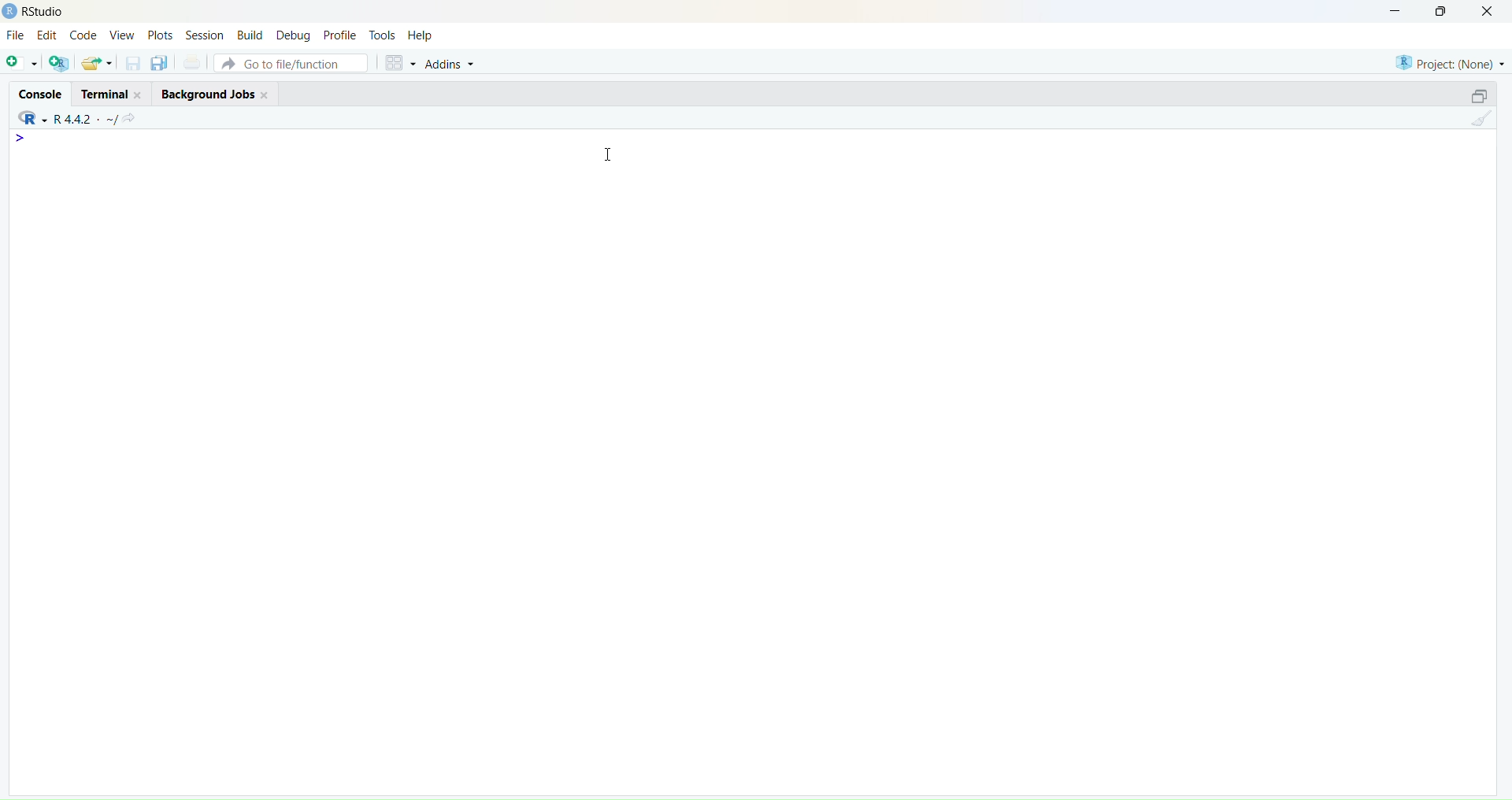 This screenshot has width=1512, height=800. Describe the element at coordinates (40, 9) in the screenshot. I see `) RStudio` at that location.